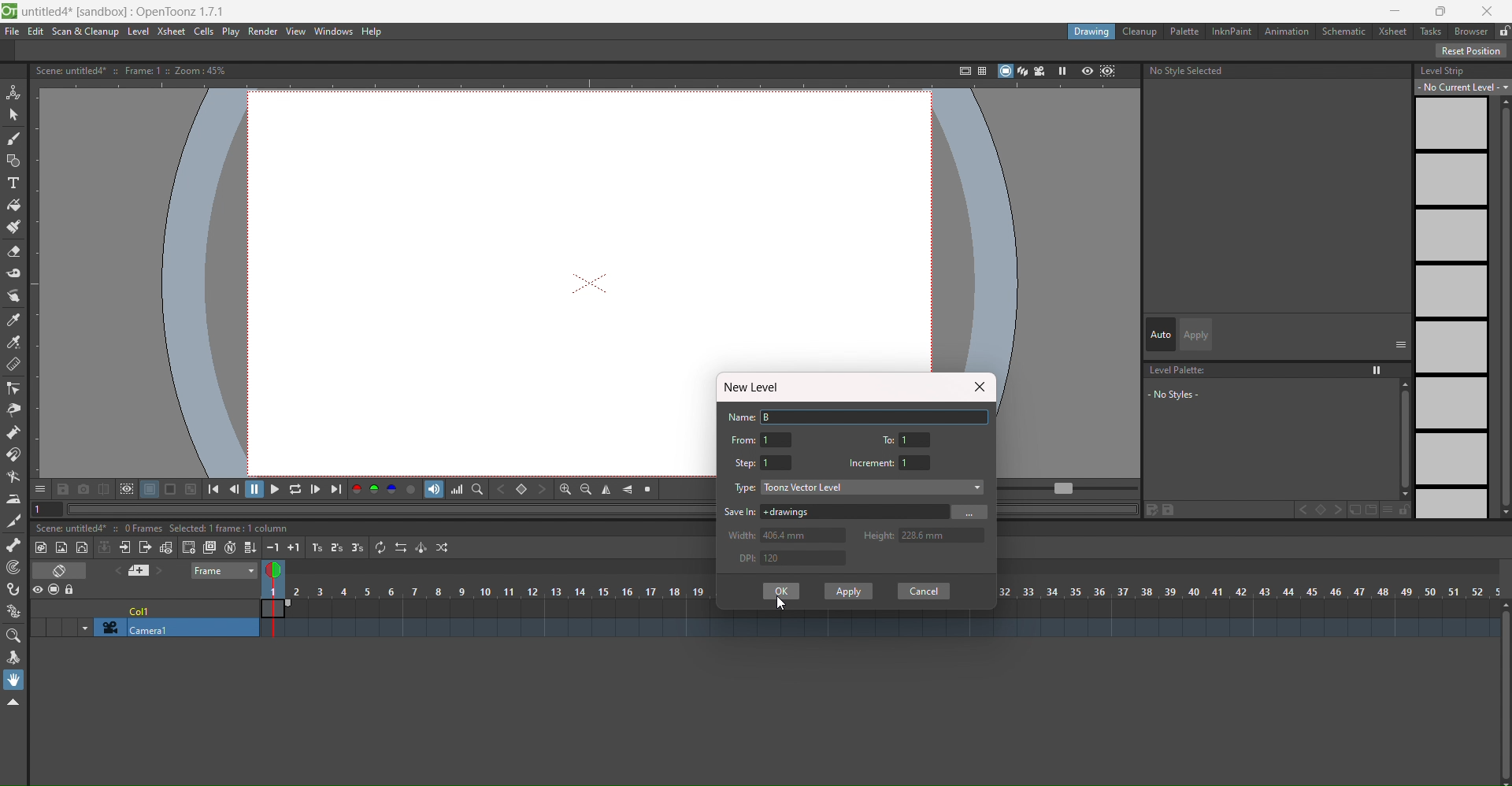 Image resolution: width=1512 pixels, height=786 pixels. Describe the element at coordinates (1451, 308) in the screenshot. I see `level strips` at that location.